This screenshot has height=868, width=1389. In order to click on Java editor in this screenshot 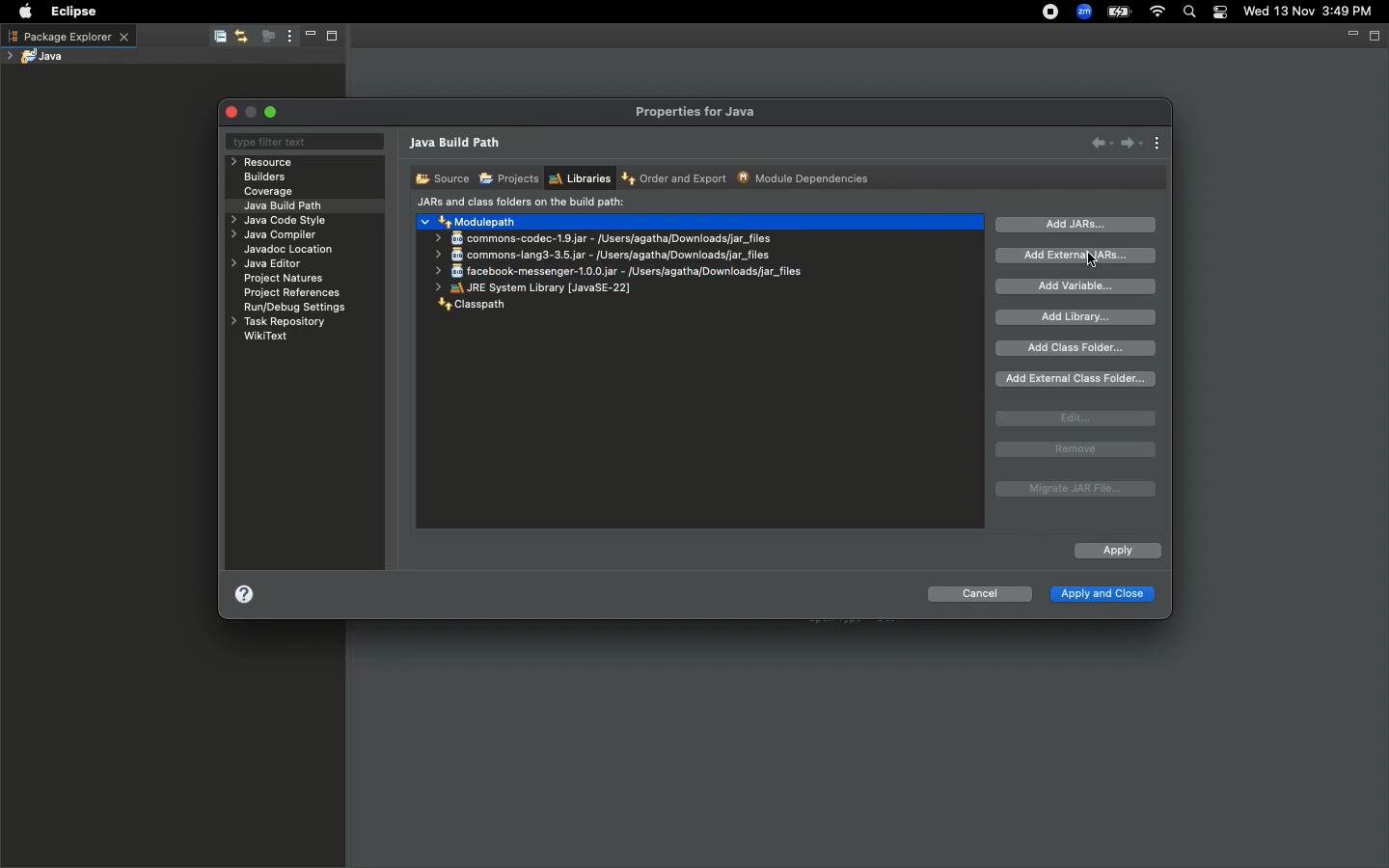, I will do `click(269, 264)`.